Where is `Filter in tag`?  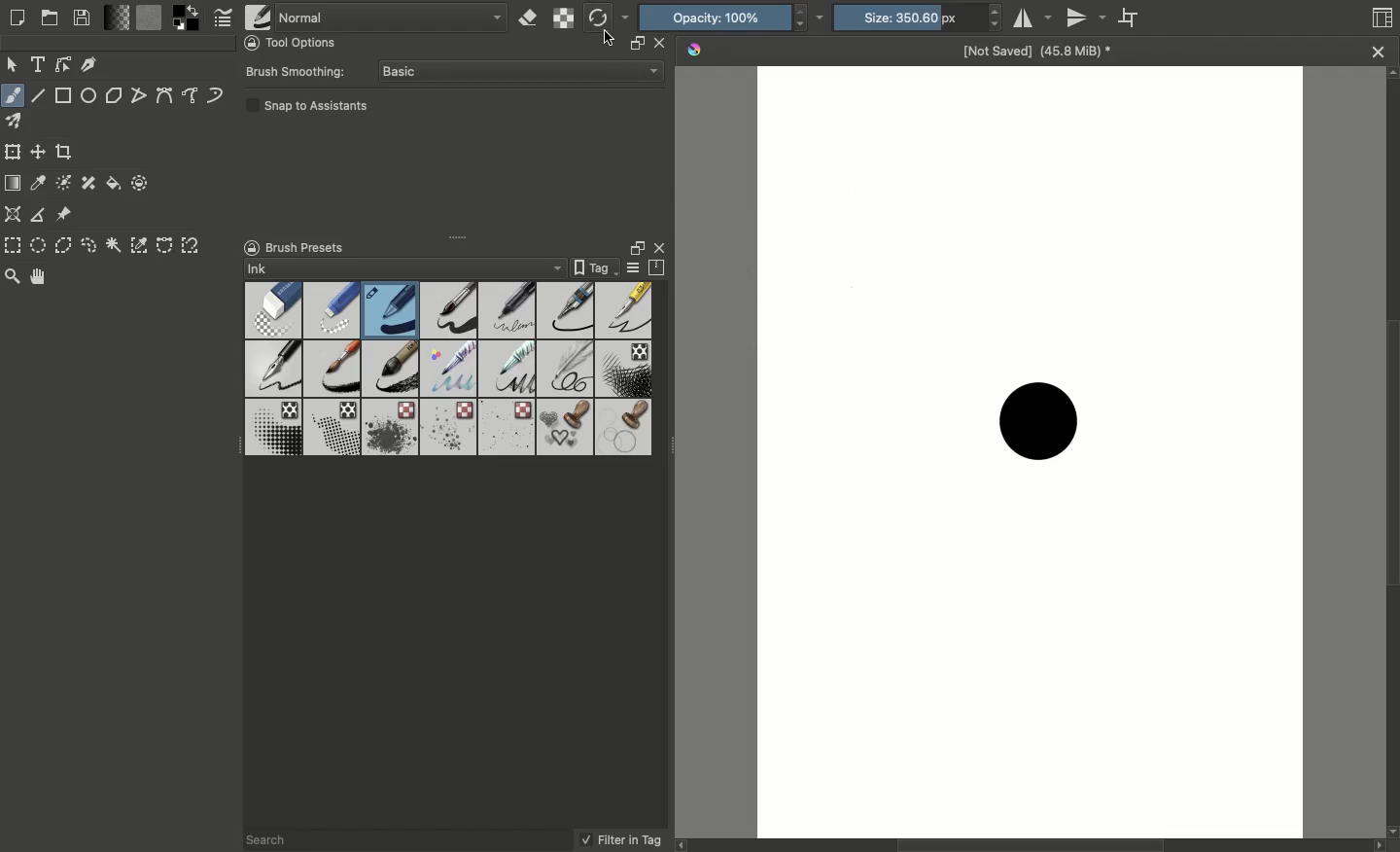 Filter in tag is located at coordinates (620, 840).